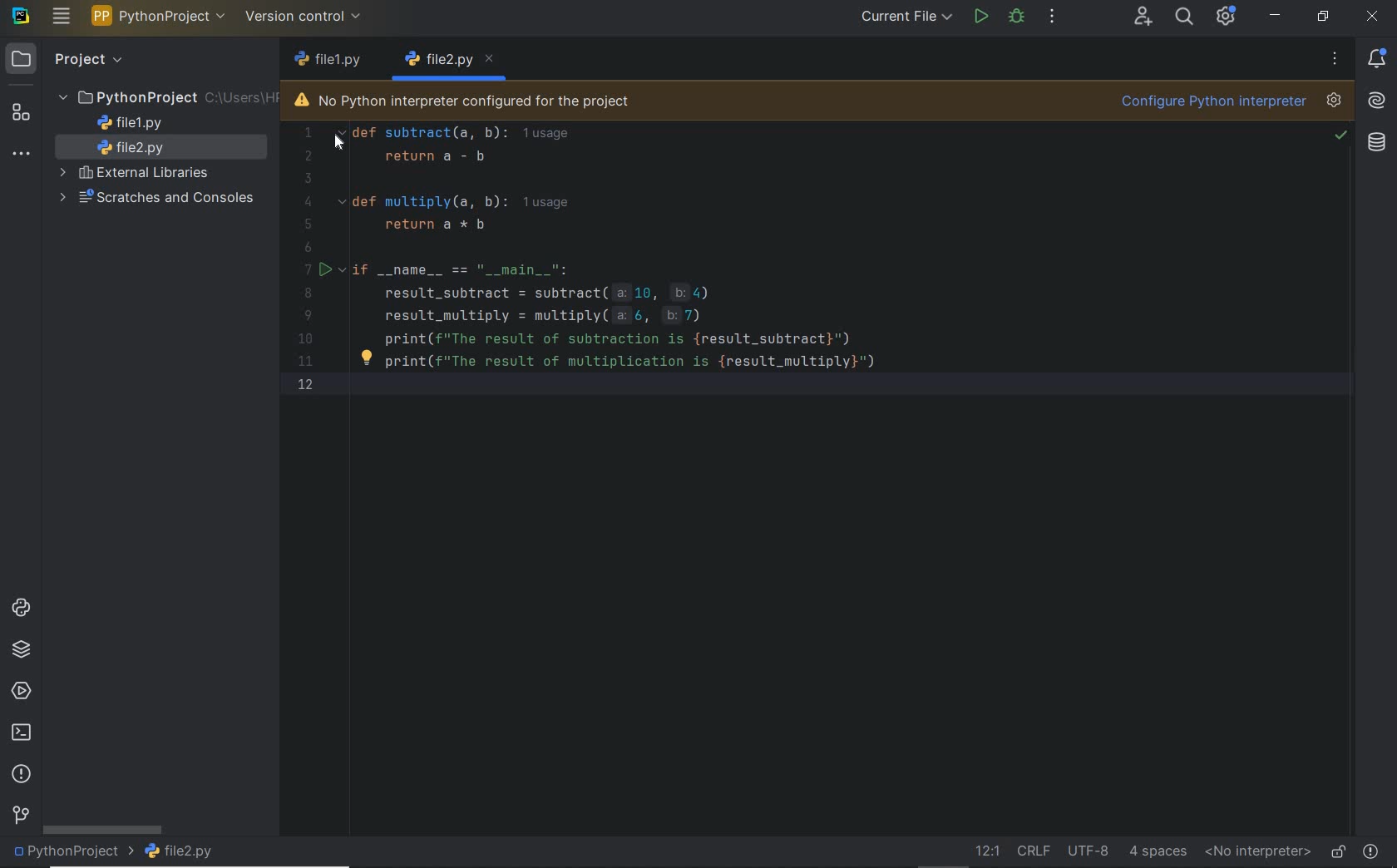 This screenshot has width=1397, height=868. I want to click on no python interpreter configured for the project, so click(463, 101).